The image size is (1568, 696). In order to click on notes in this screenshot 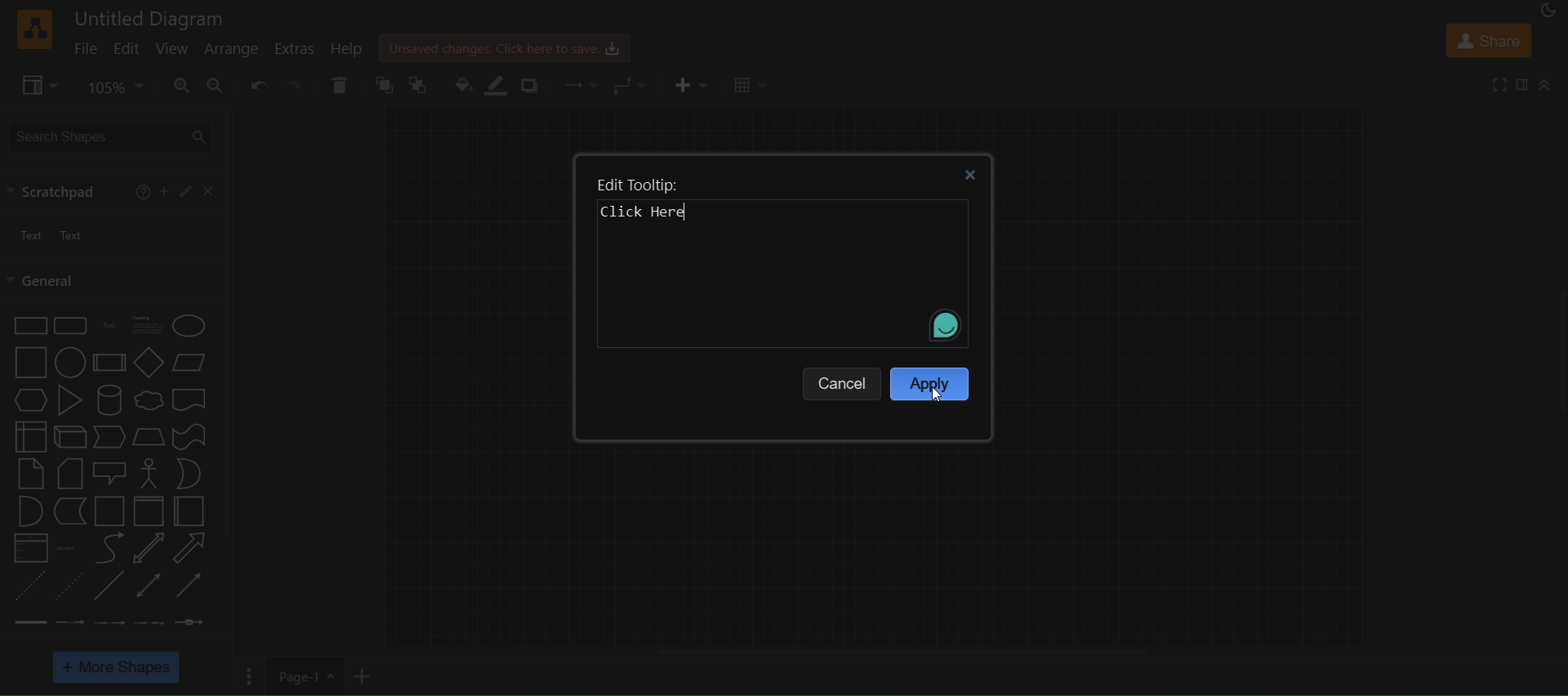, I will do `click(30, 473)`.